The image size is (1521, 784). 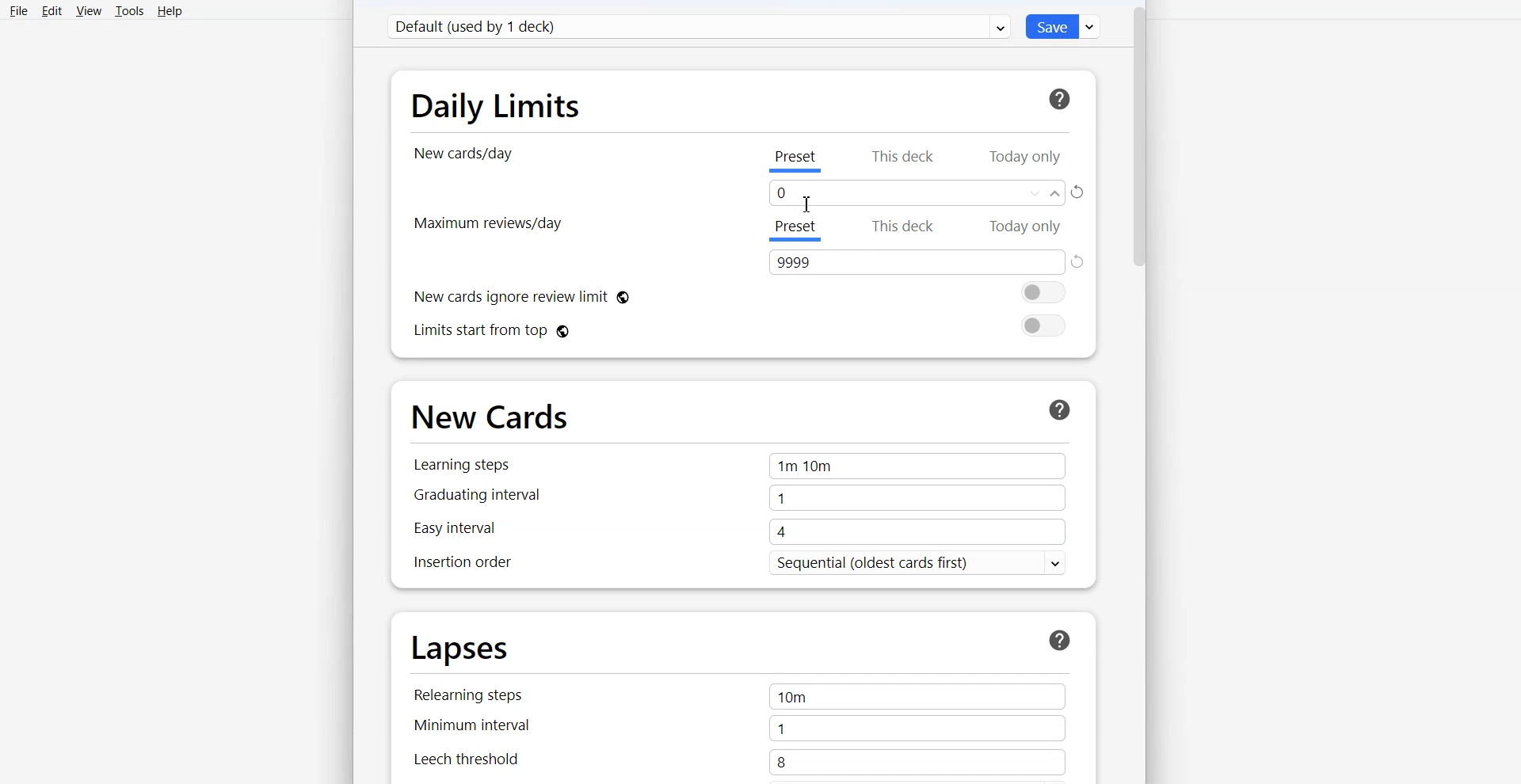 What do you see at coordinates (128, 12) in the screenshot?
I see `Tools` at bounding box center [128, 12].